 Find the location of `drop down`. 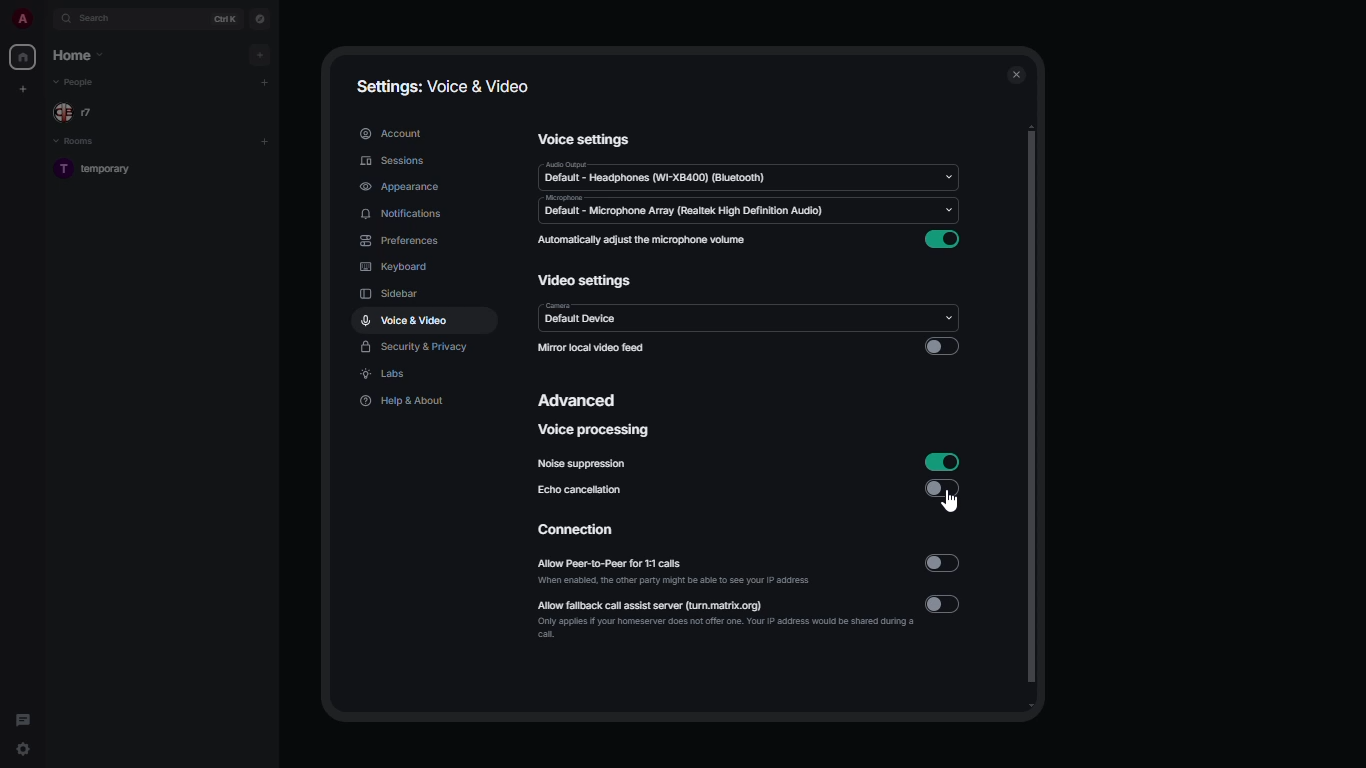

drop down is located at coordinates (948, 176).